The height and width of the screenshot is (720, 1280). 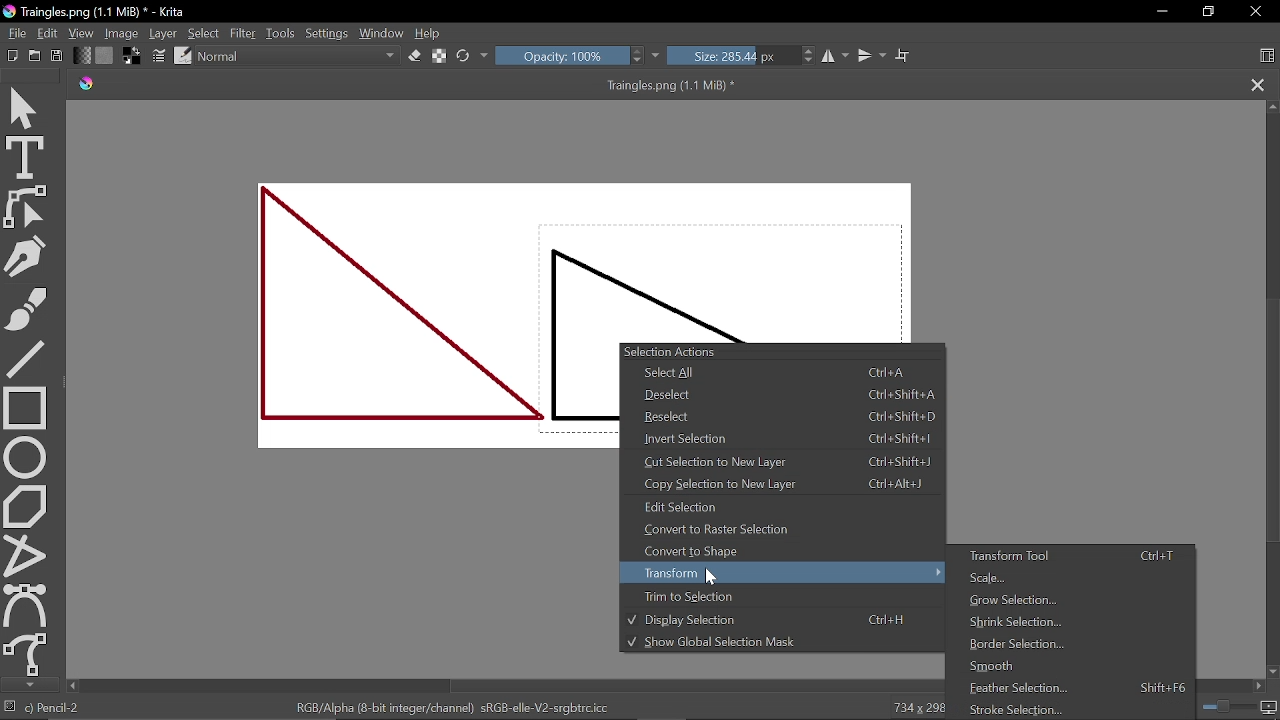 I want to click on Cursor, so click(x=716, y=579).